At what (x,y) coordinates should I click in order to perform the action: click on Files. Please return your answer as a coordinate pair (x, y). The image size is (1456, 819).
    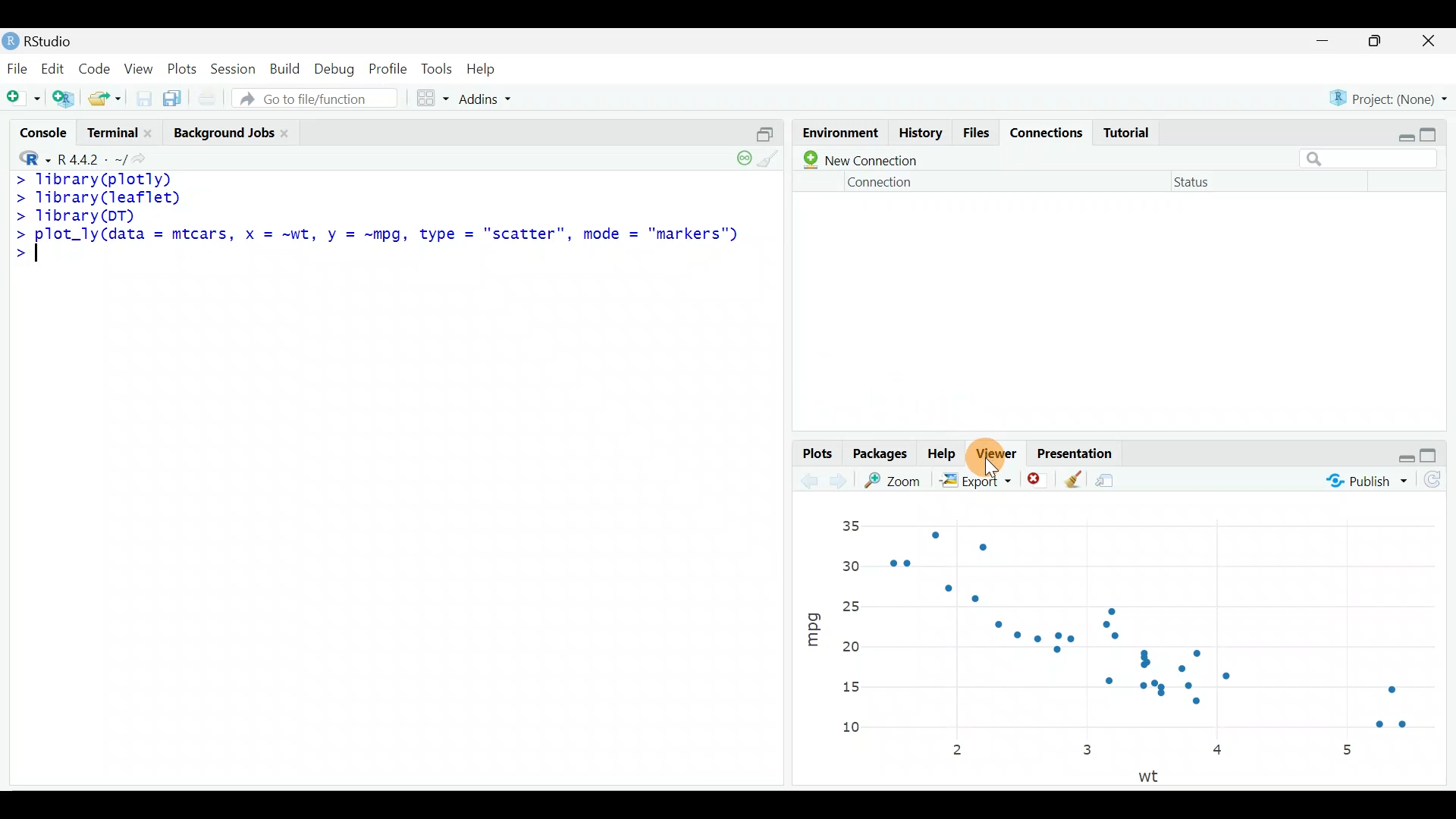
    Looking at the image, I should click on (974, 131).